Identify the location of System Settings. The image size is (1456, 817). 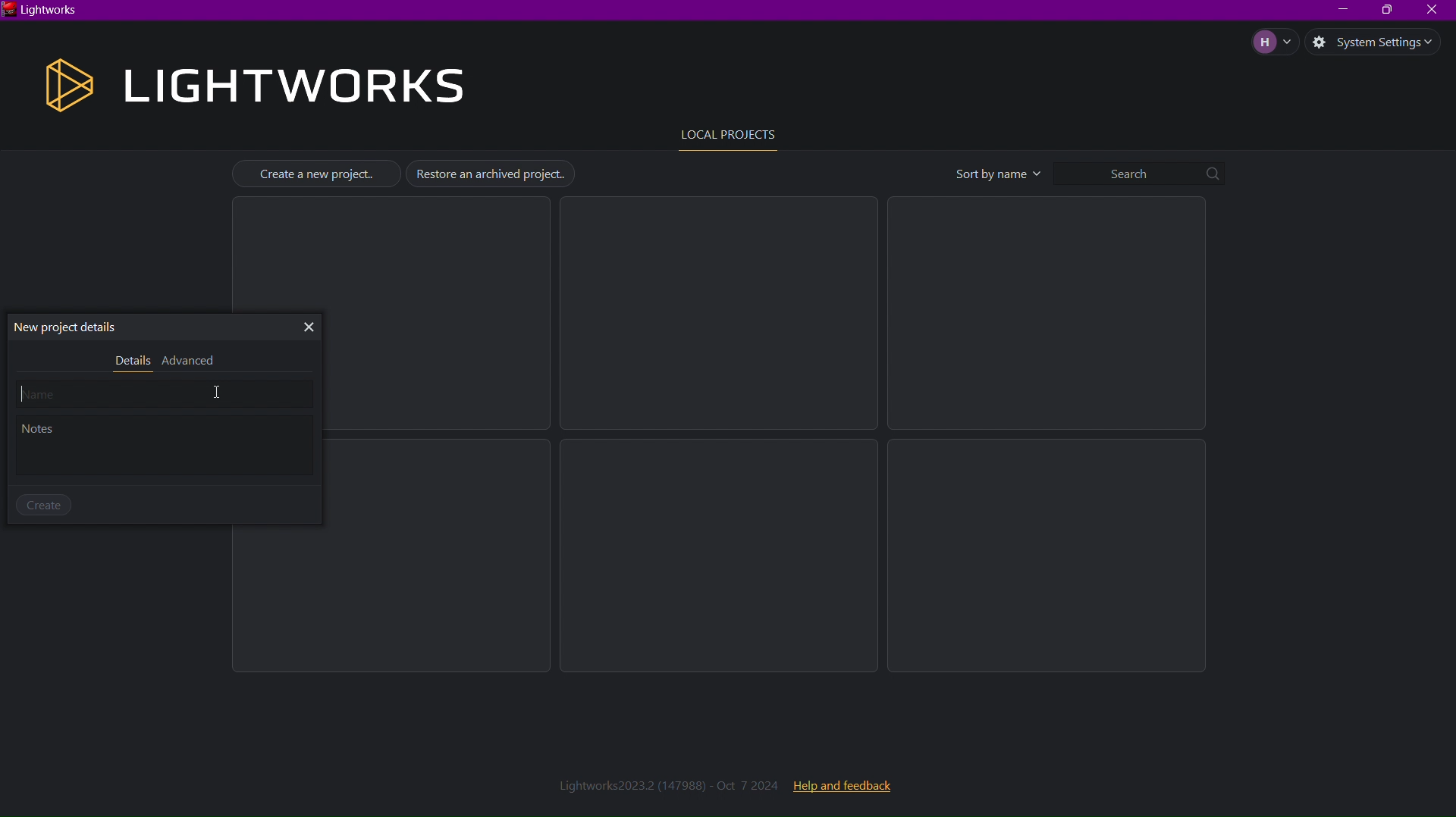
(1382, 42).